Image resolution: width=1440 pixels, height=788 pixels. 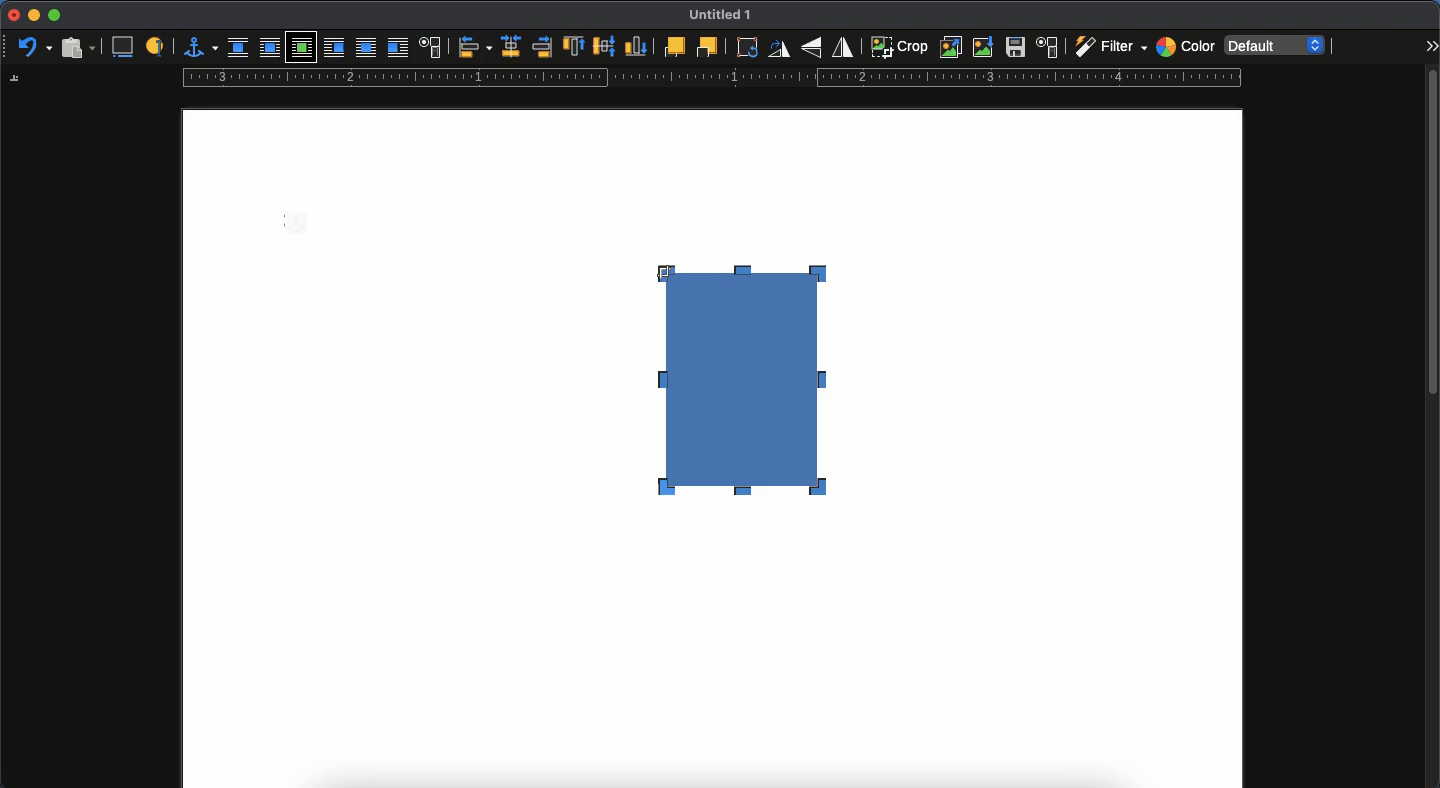 I want to click on anchor for object, so click(x=200, y=46).